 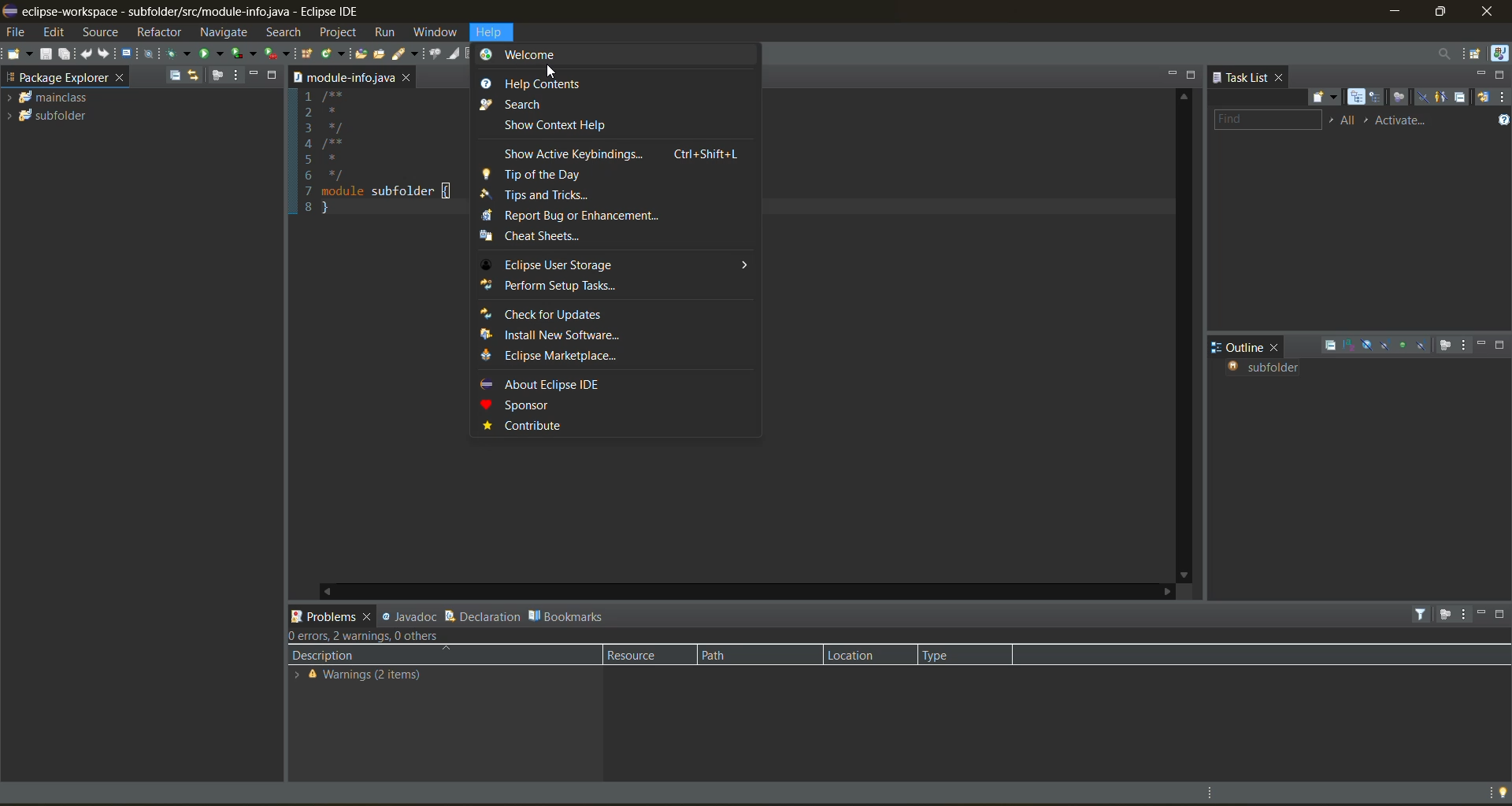 What do you see at coordinates (1484, 613) in the screenshot?
I see `minimize` at bounding box center [1484, 613].